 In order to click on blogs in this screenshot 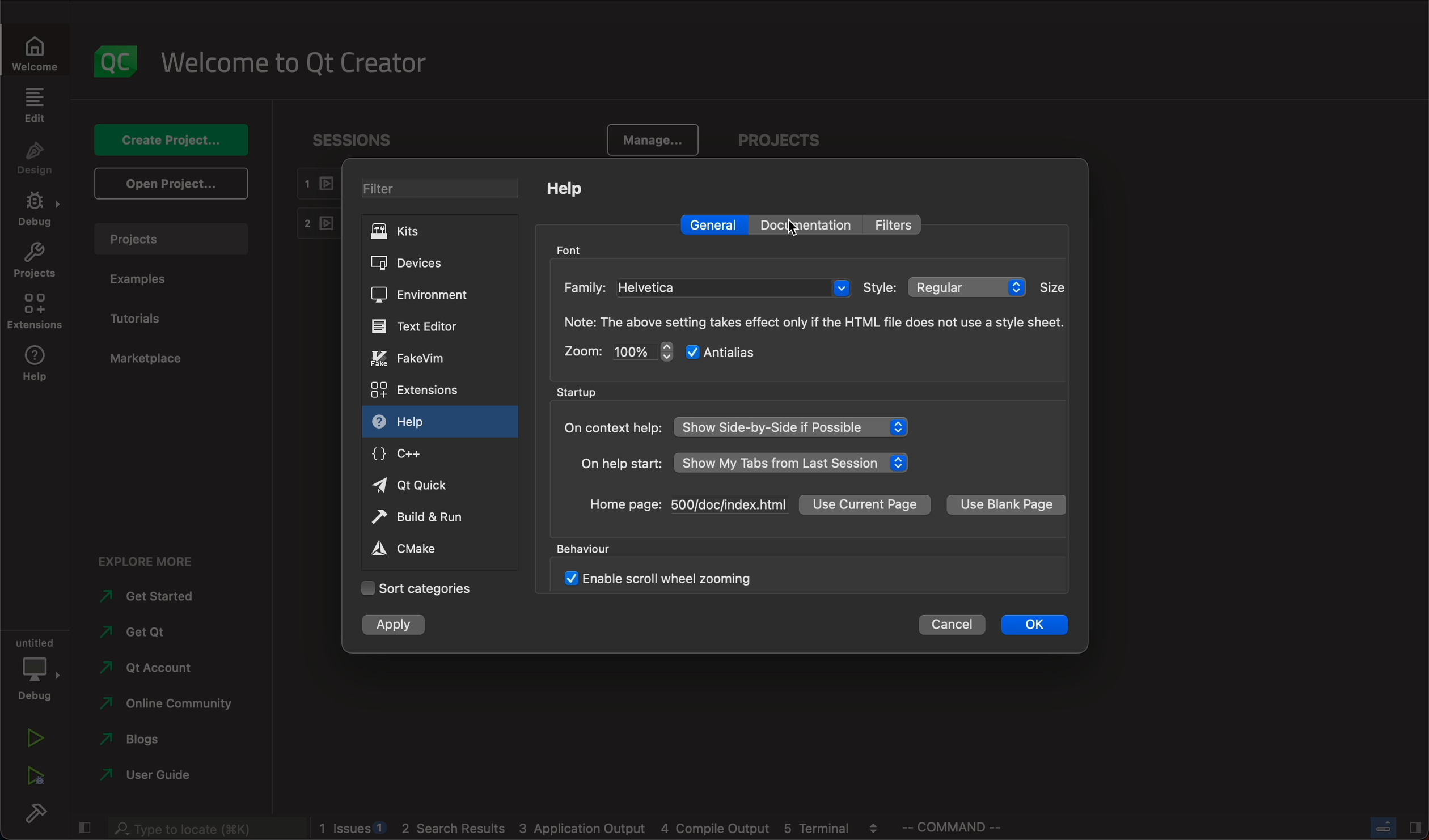, I will do `click(147, 742)`.